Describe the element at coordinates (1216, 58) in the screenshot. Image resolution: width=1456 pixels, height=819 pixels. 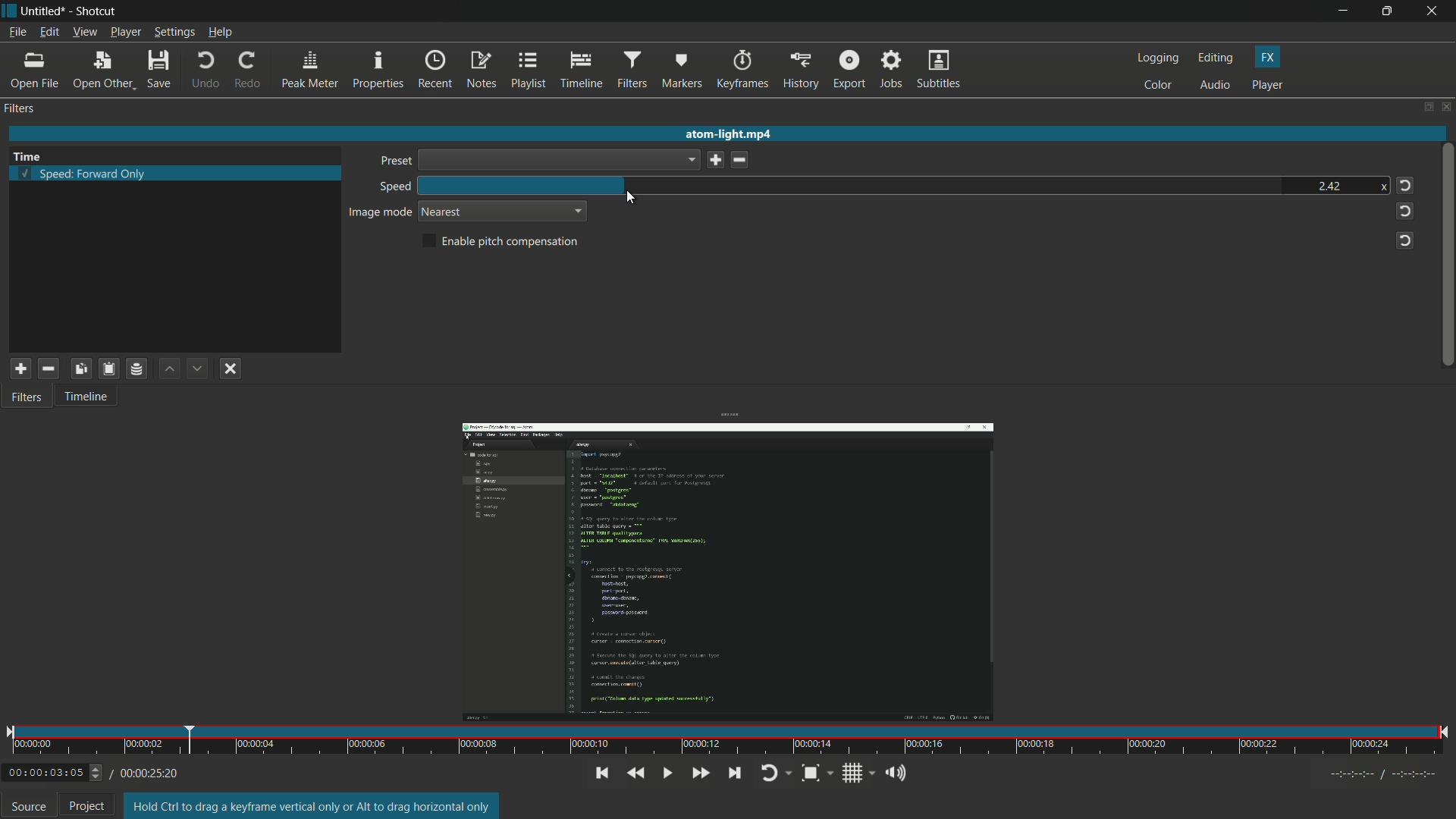
I see `editing` at that location.